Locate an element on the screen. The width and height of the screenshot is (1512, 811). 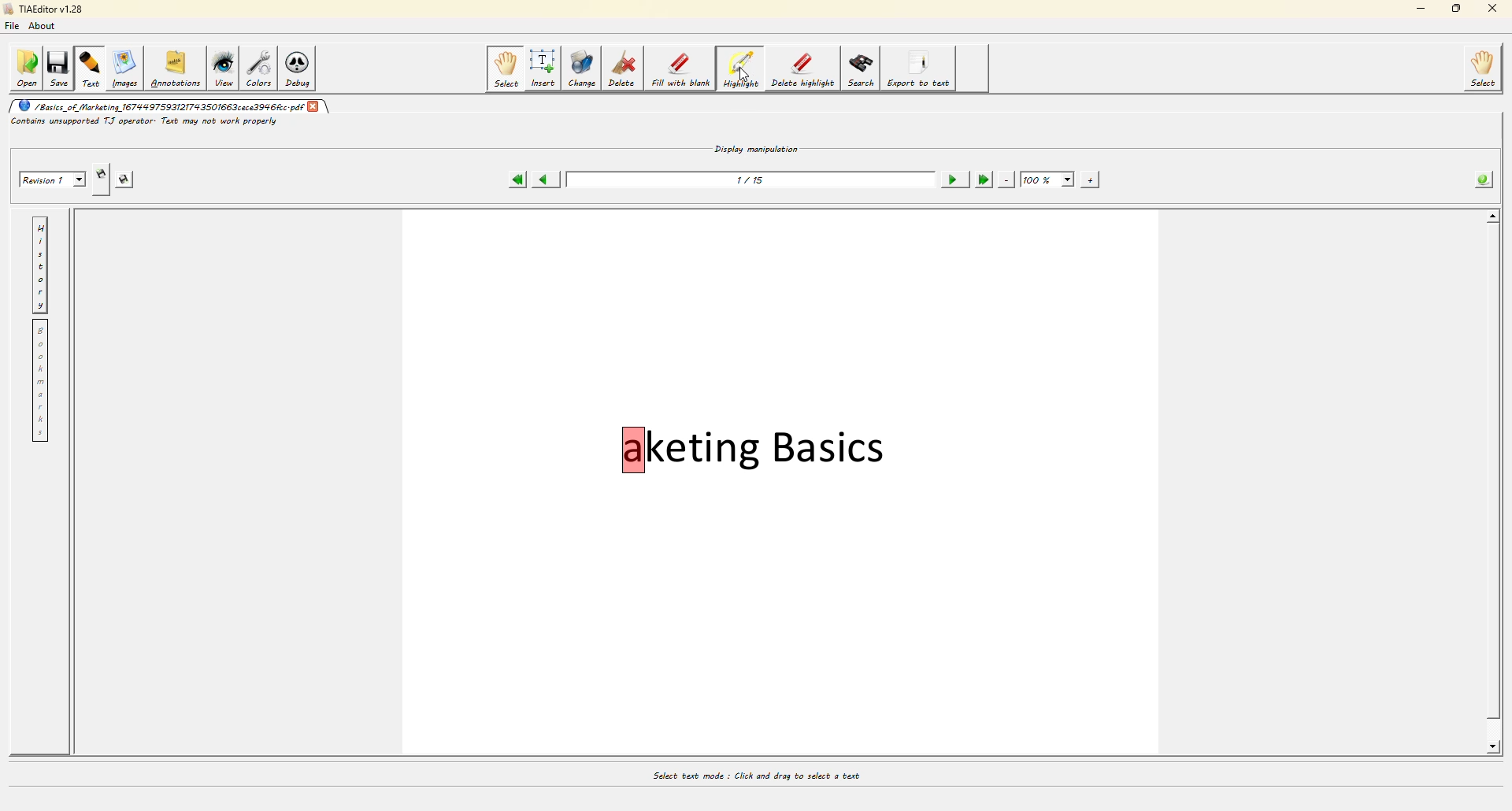
first page is located at coordinates (513, 180).